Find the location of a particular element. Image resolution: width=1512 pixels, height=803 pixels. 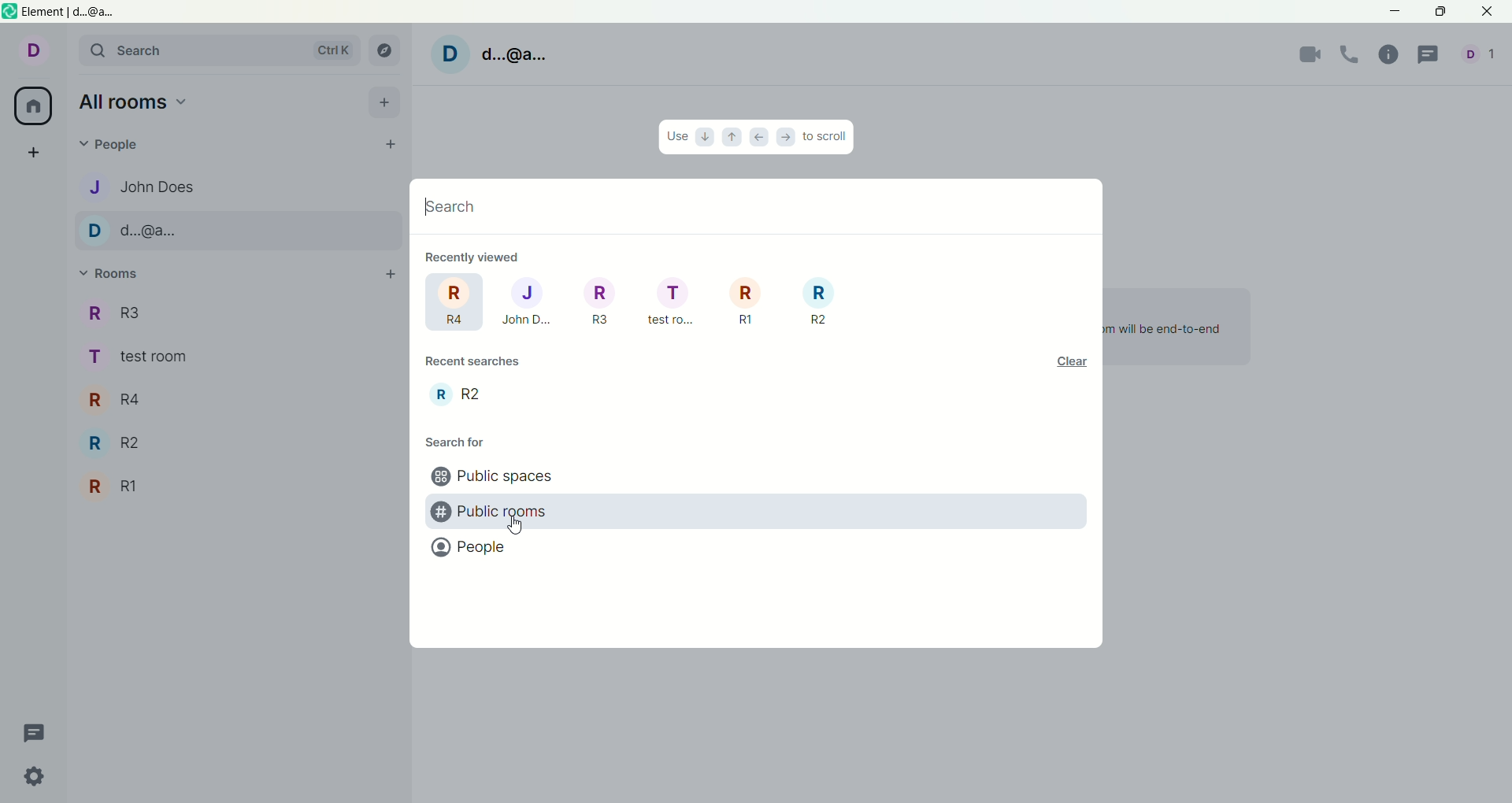

all rooms is located at coordinates (135, 102).